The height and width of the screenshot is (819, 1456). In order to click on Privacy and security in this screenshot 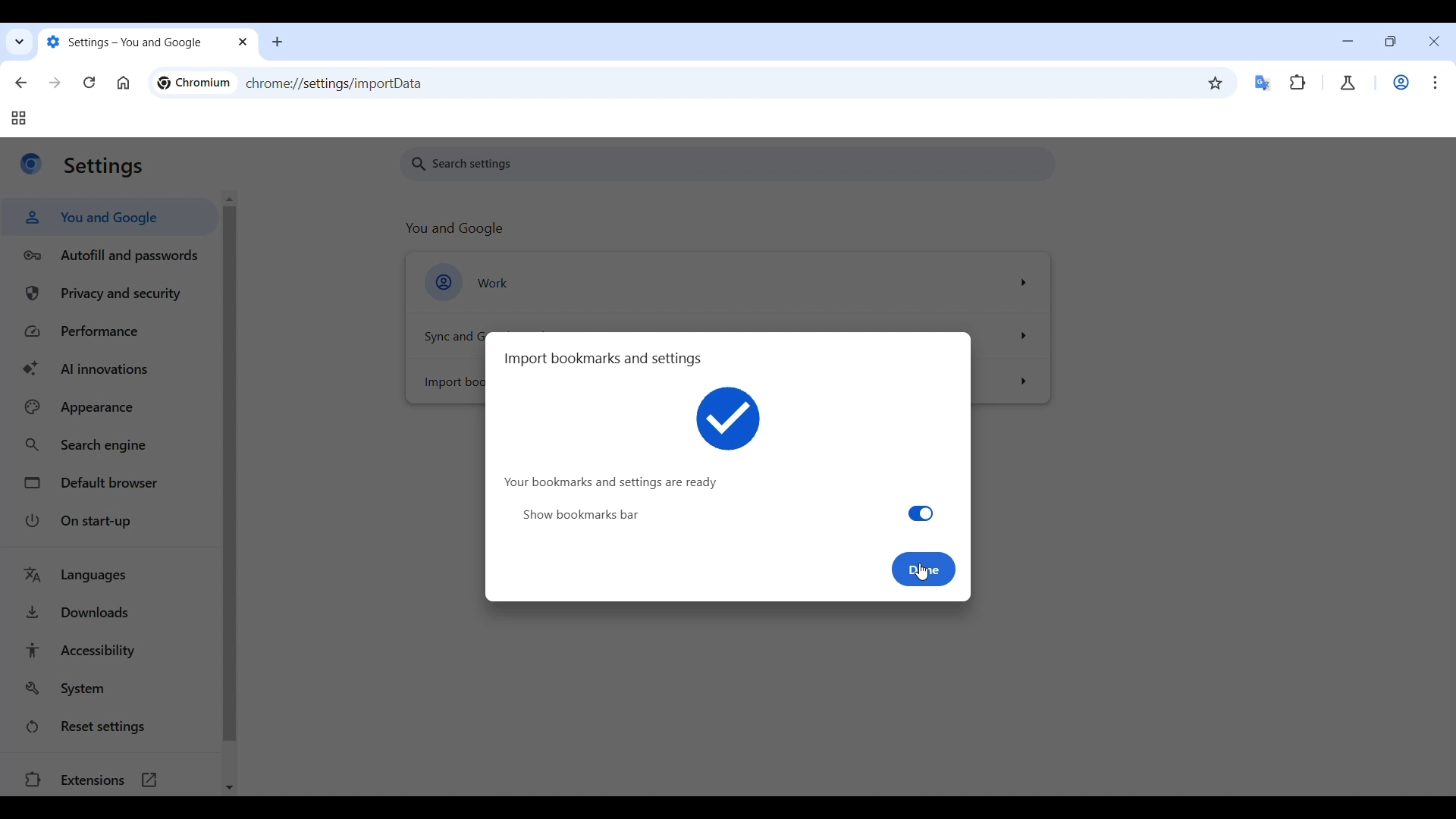, I will do `click(113, 293)`.